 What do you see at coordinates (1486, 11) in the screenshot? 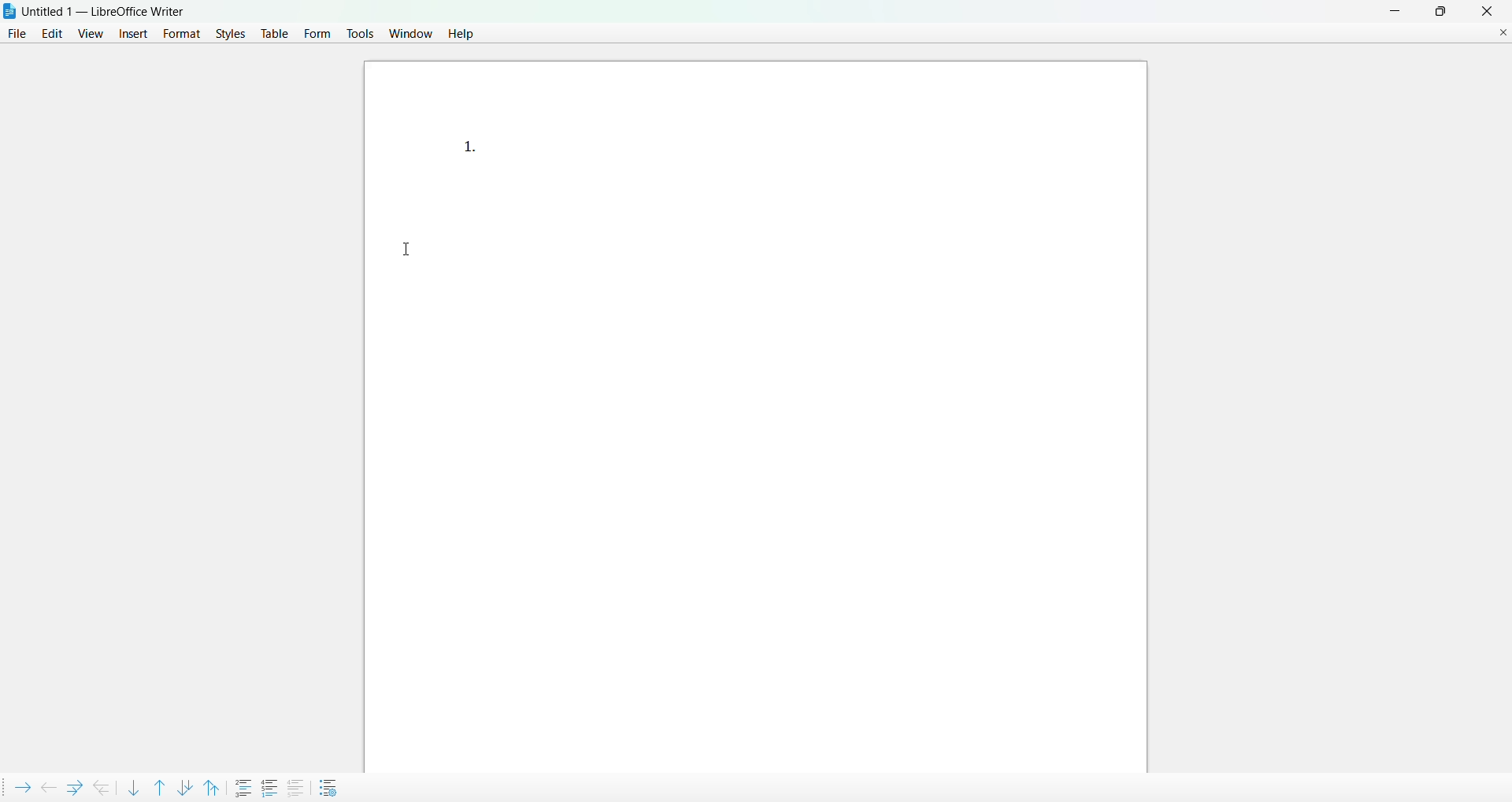
I see `close` at bounding box center [1486, 11].